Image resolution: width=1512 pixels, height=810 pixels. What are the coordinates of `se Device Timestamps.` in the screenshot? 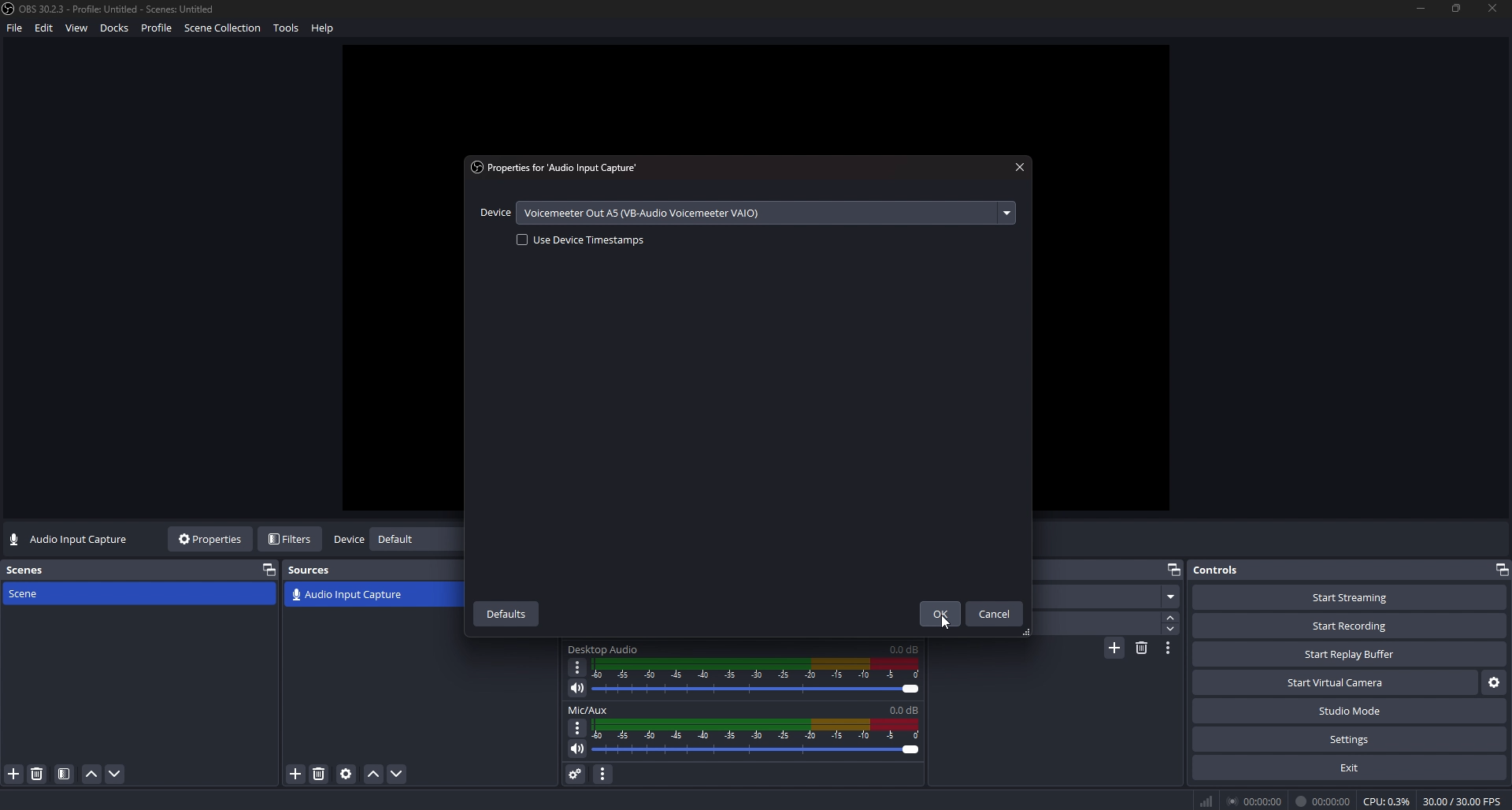 It's located at (580, 243).